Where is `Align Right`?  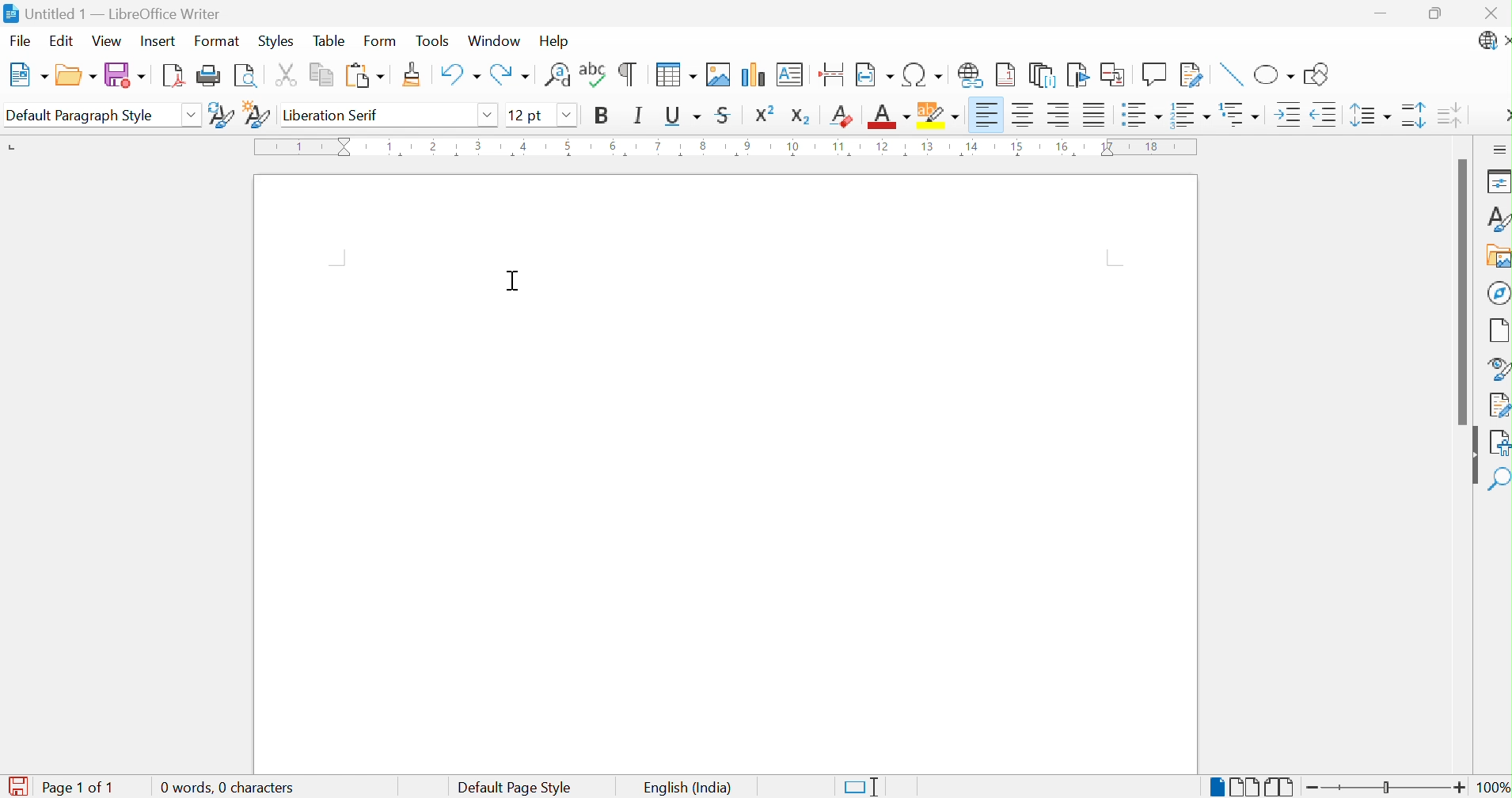
Align Right is located at coordinates (1059, 113).